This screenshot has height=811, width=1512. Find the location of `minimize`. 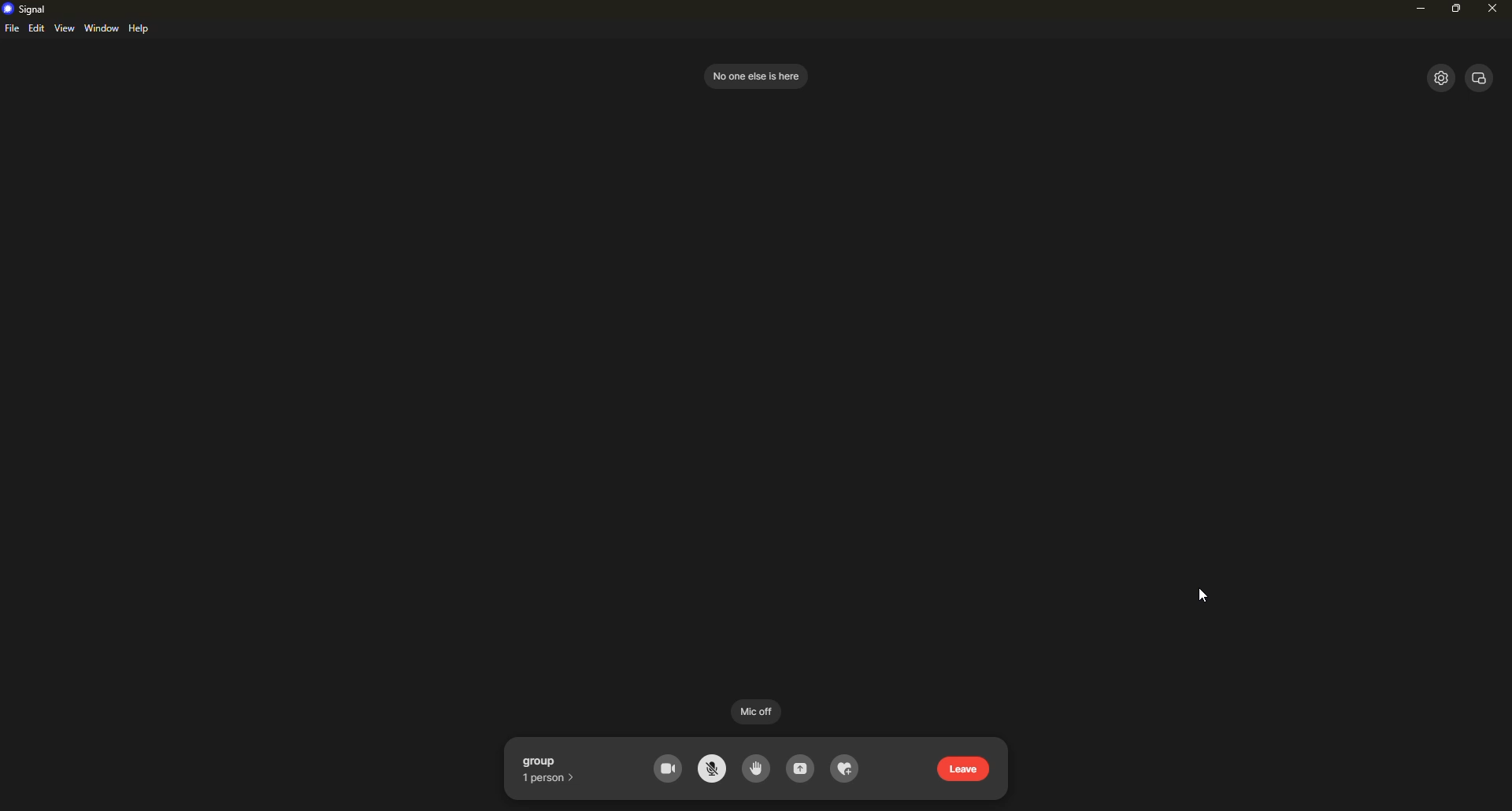

minimize is located at coordinates (1416, 11).